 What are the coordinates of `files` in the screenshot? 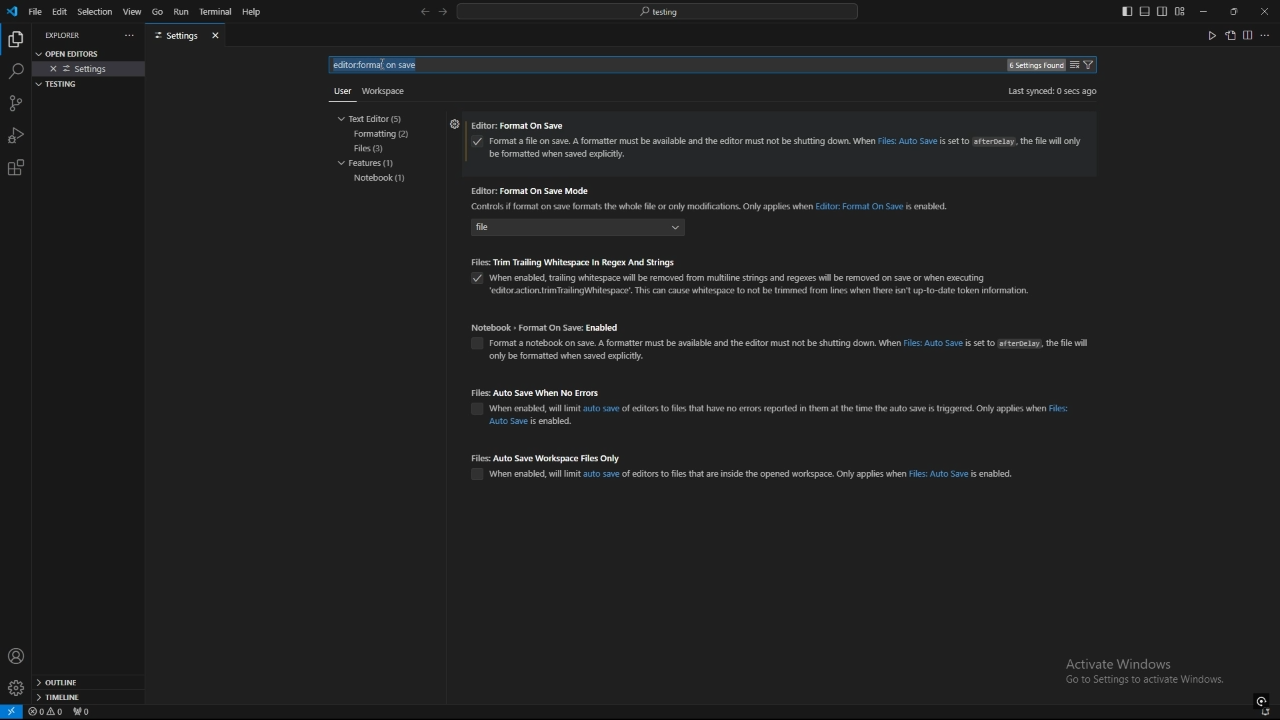 It's located at (380, 148).